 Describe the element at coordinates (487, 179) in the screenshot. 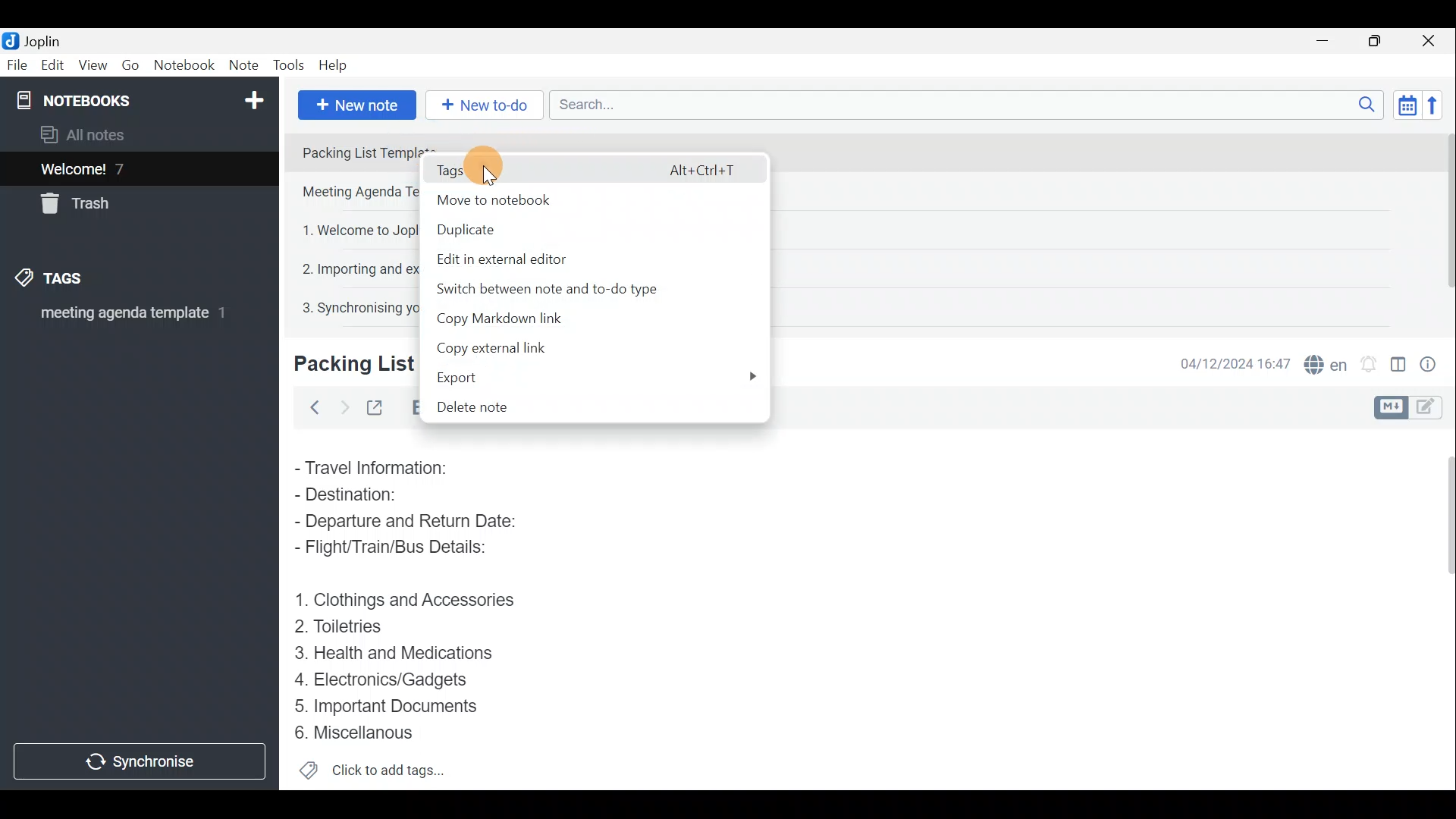

I see `cursor` at that location.